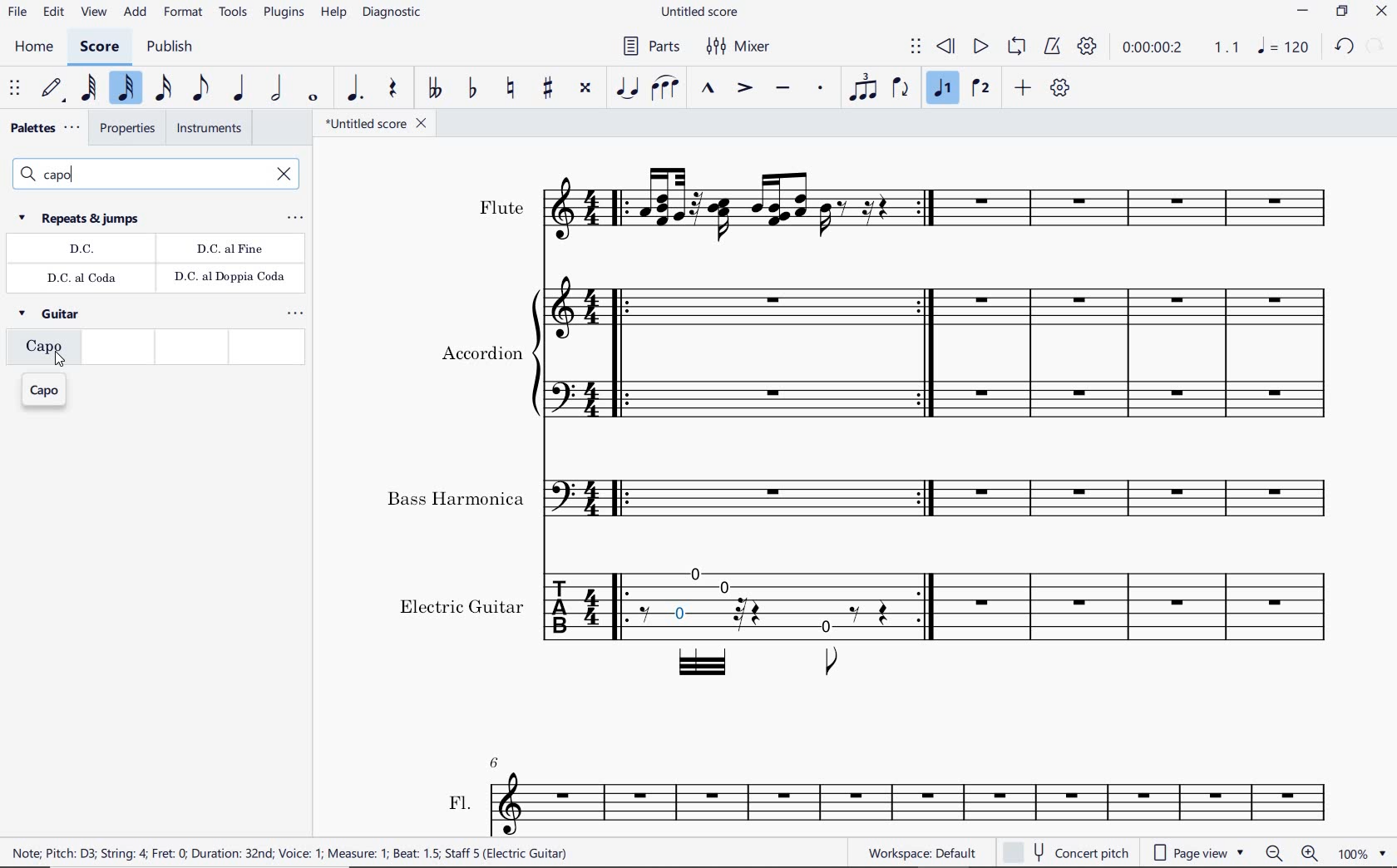 This screenshot has height=868, width=1397. Describe the element at coordinates (915, 47) in the screenshot. I see `select to move` at that location.